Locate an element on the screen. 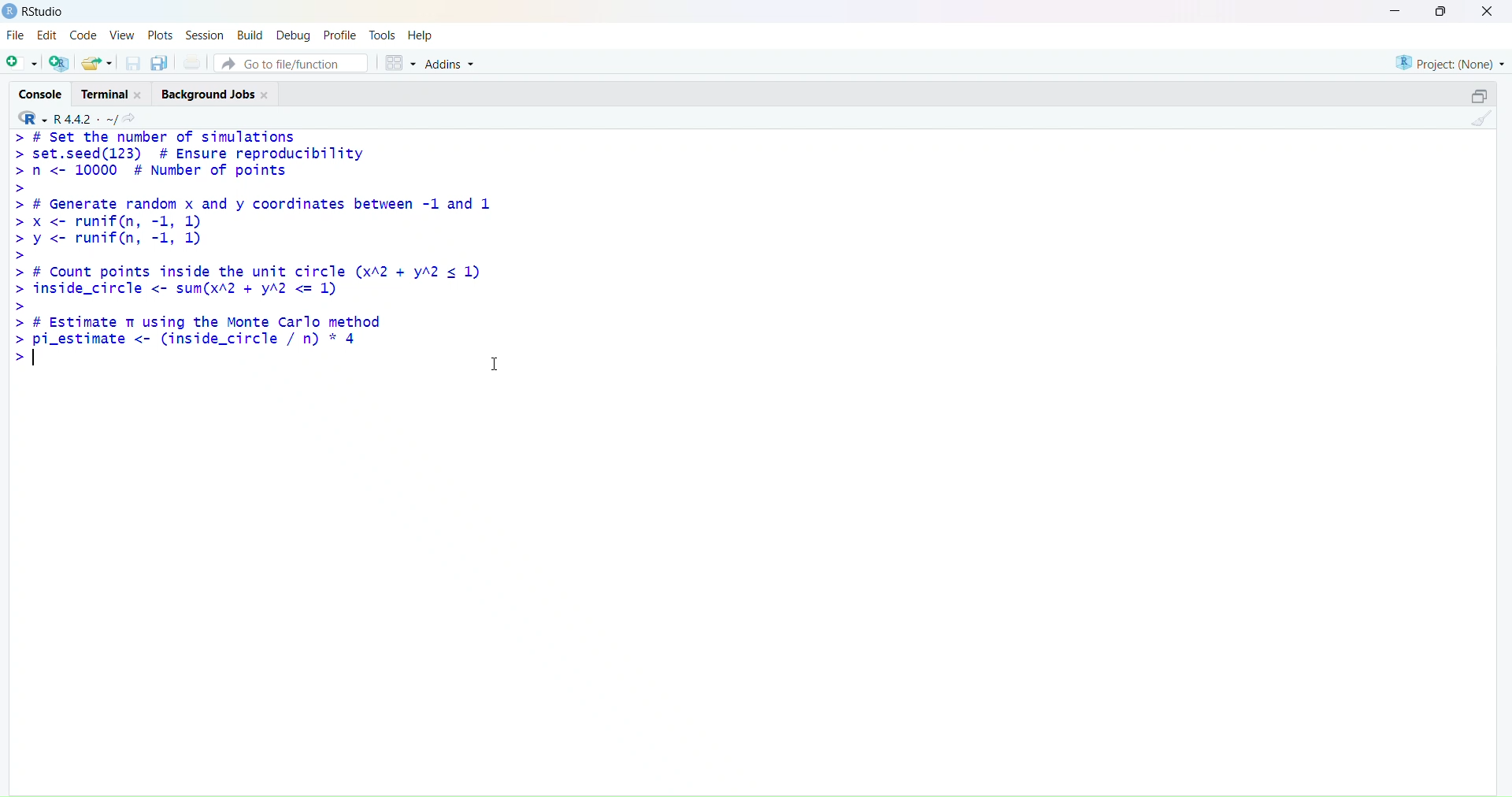 The width and height of the screenshot is (1512, 797). Clear Console (Ctrl + L) is located at coordinates (1482, 126).